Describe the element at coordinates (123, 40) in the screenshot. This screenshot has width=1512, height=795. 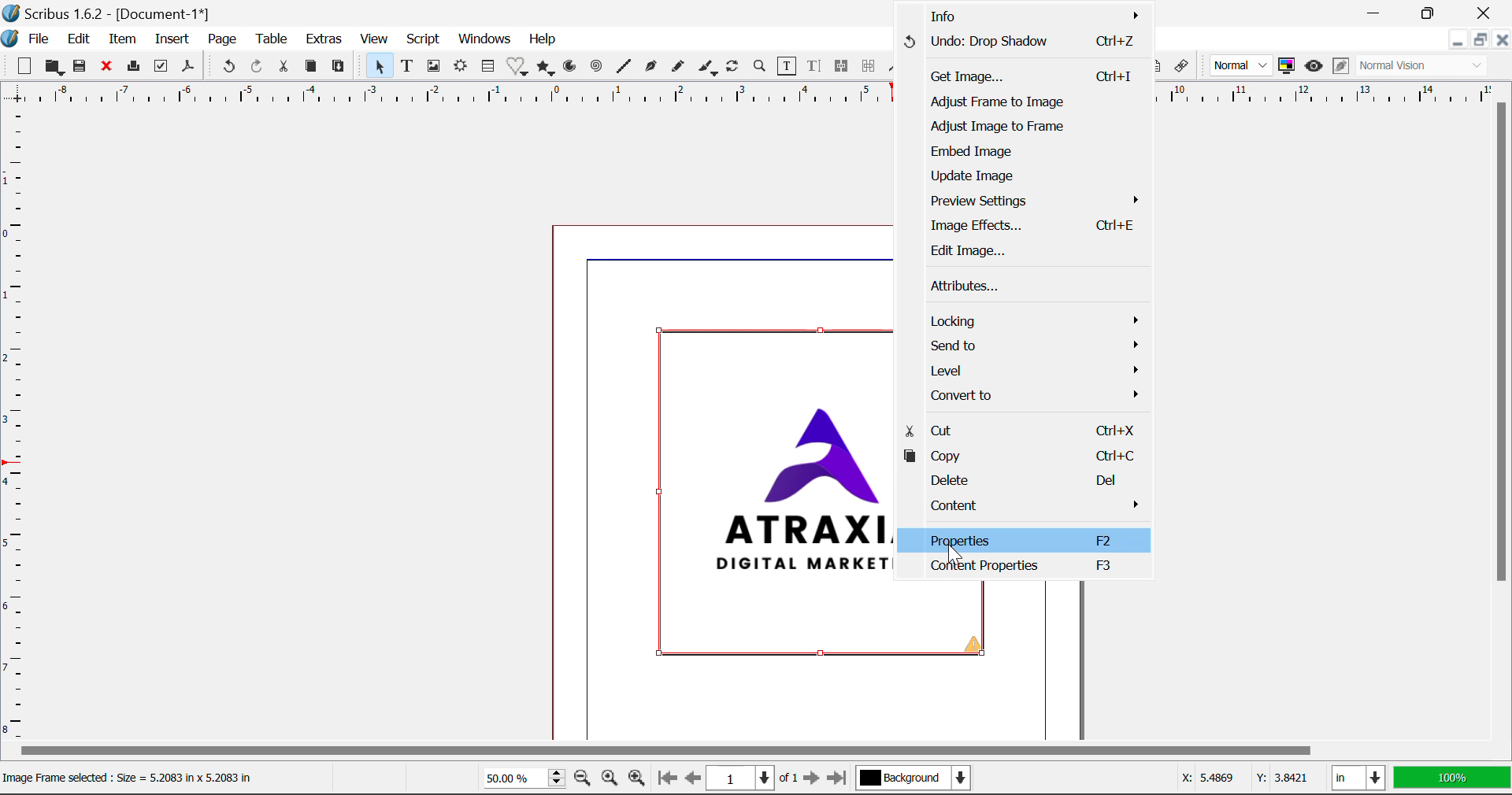
I see `Item` at that location.